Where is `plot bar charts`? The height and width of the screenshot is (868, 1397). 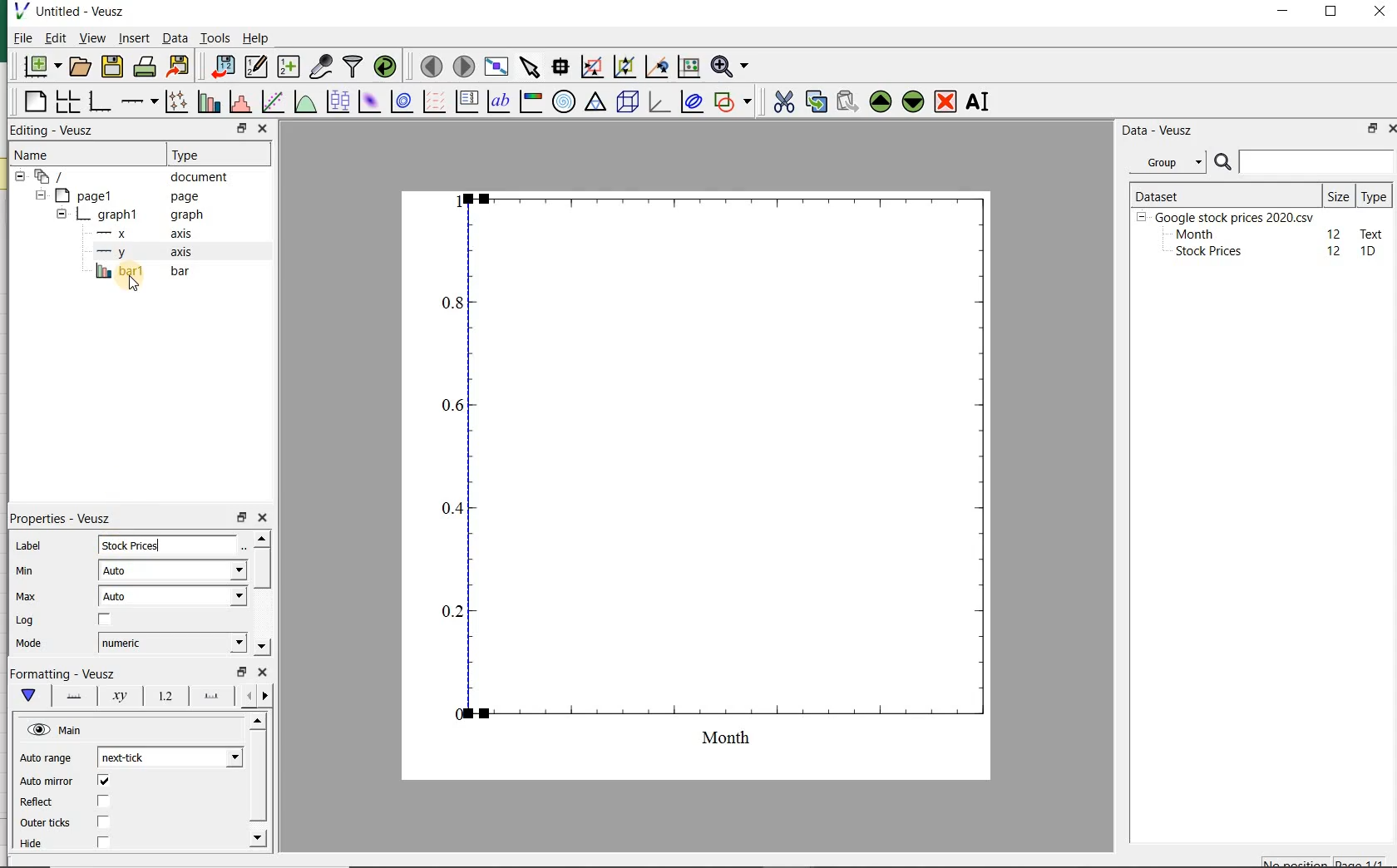 plot bar charts is located at coordinates (206, 103).